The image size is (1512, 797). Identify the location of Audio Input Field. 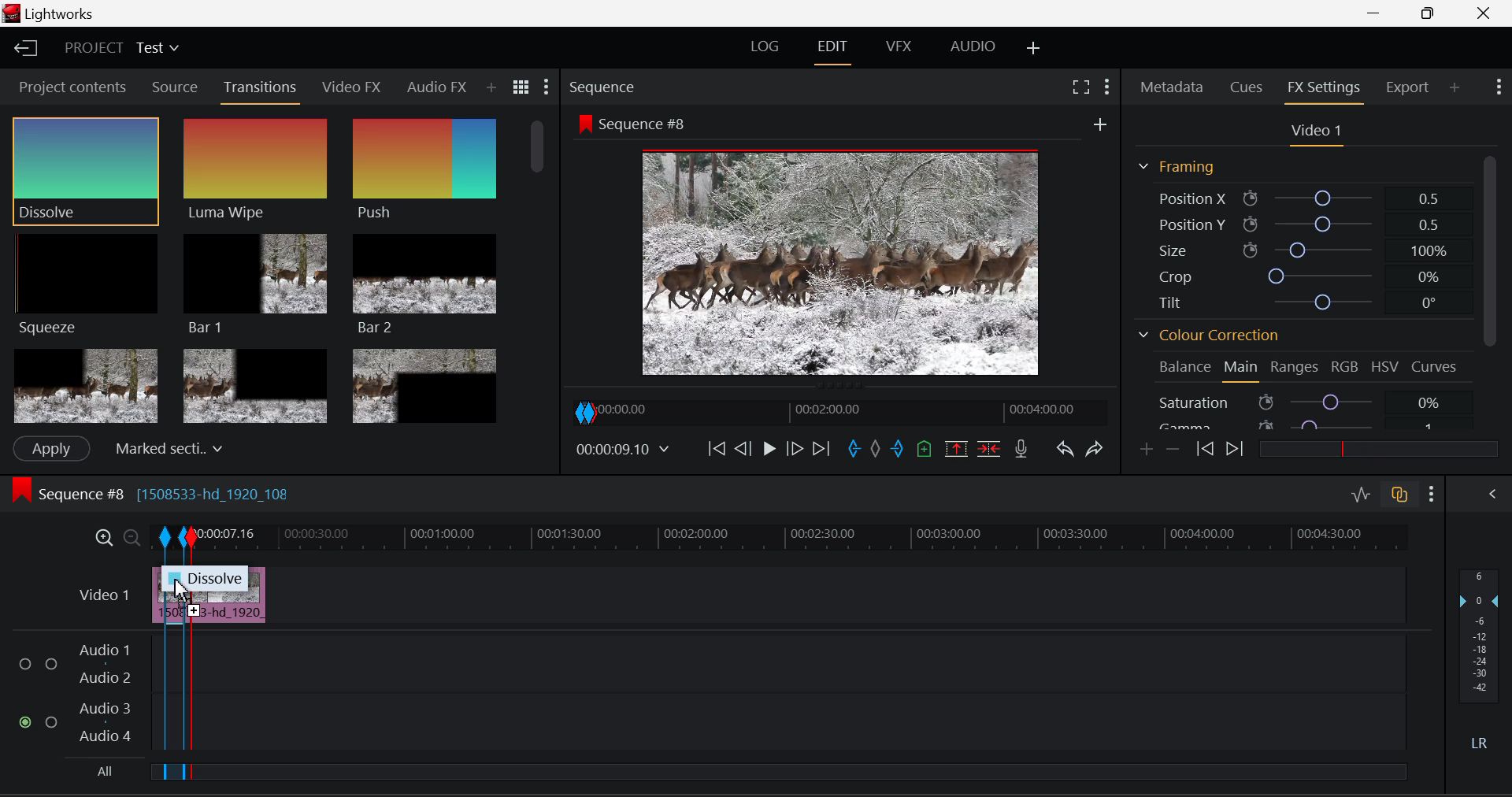
(798, 724).